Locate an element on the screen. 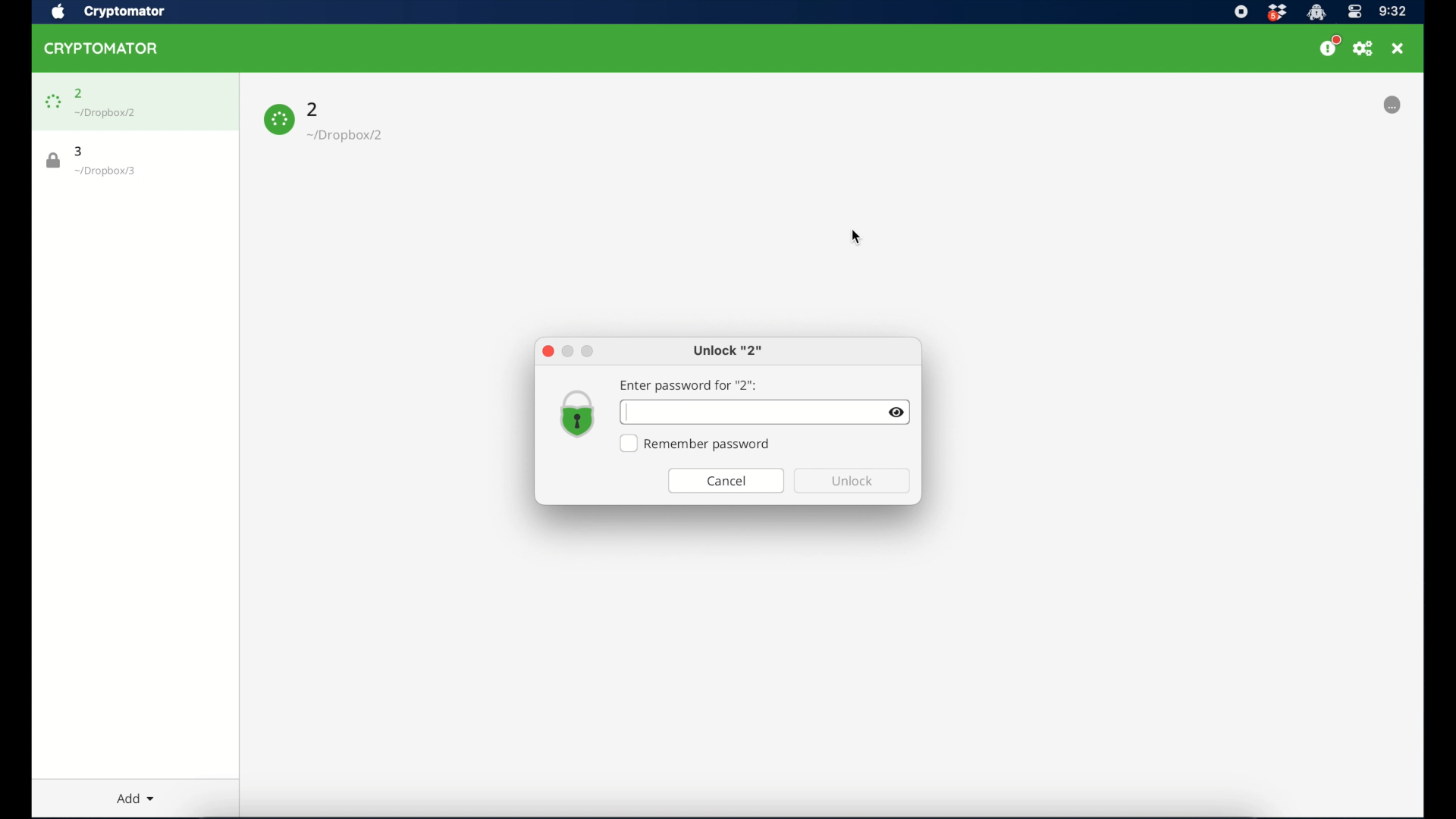 Image resolution: width=1456 pixels, height=819 pixels. lock icon is located at coordinates (280, 119).